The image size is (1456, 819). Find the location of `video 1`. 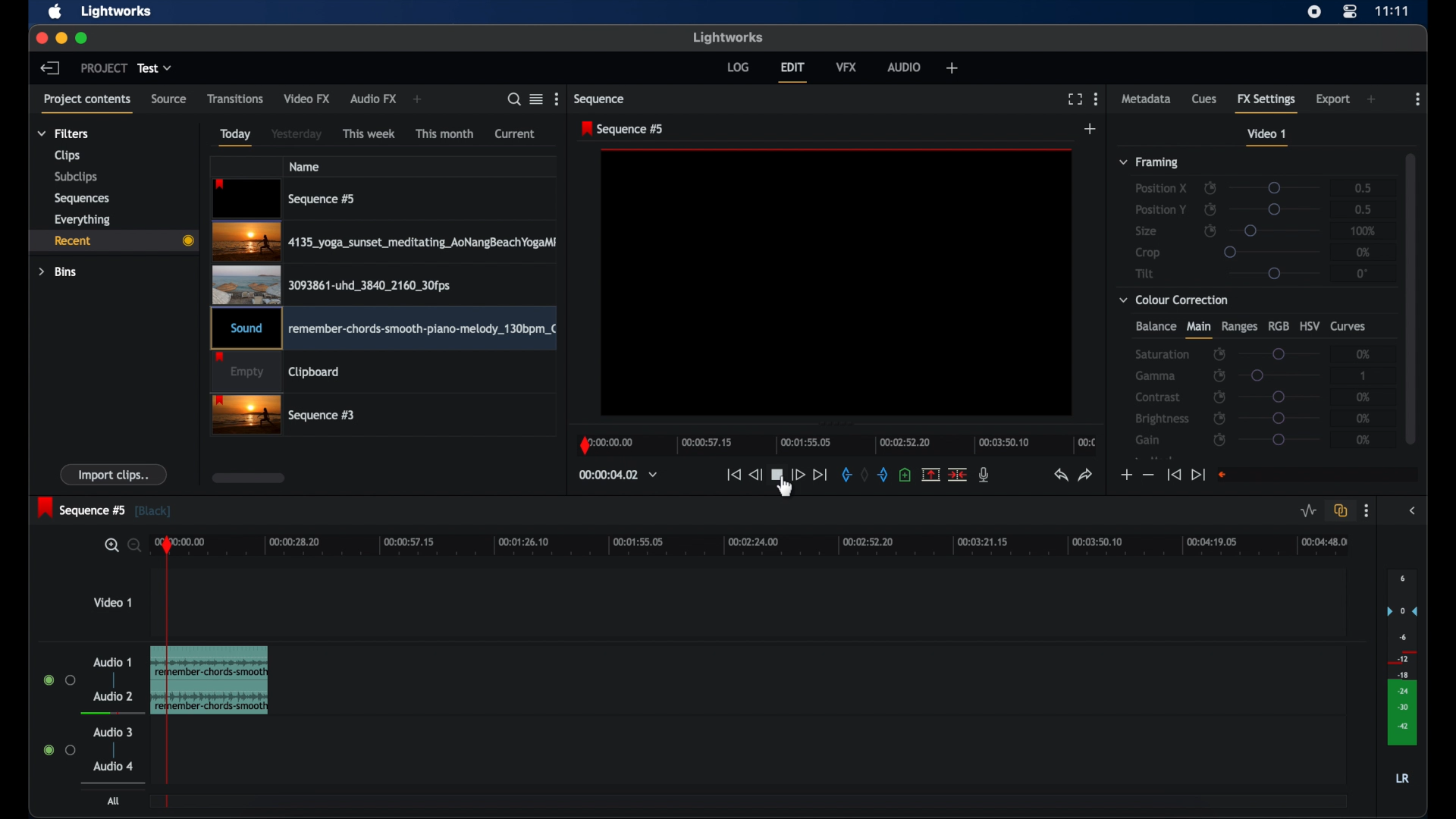

video 1 is located at coordinates (112, 601).